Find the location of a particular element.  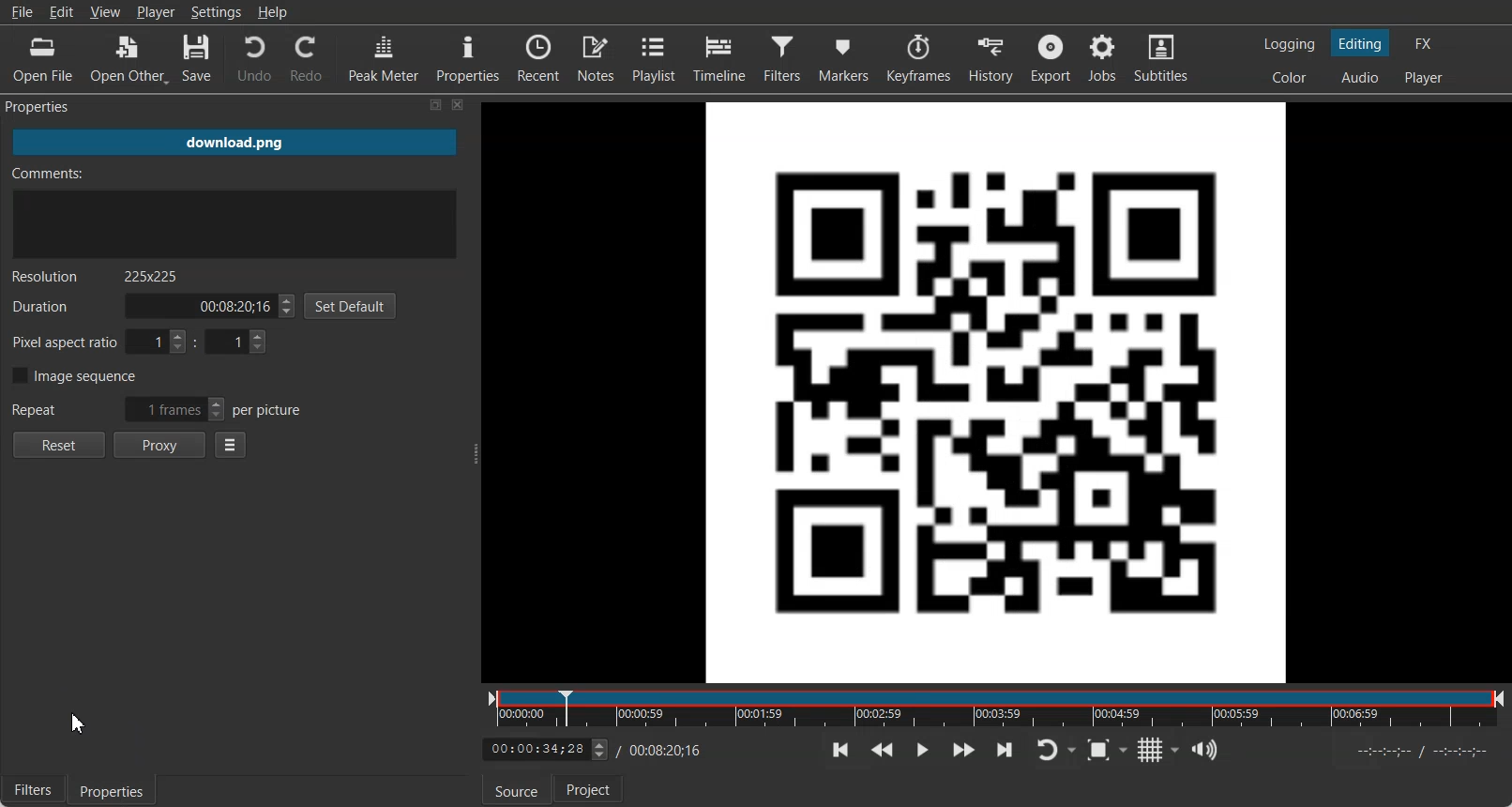

Image sequence is located at coordinates (73, 374).